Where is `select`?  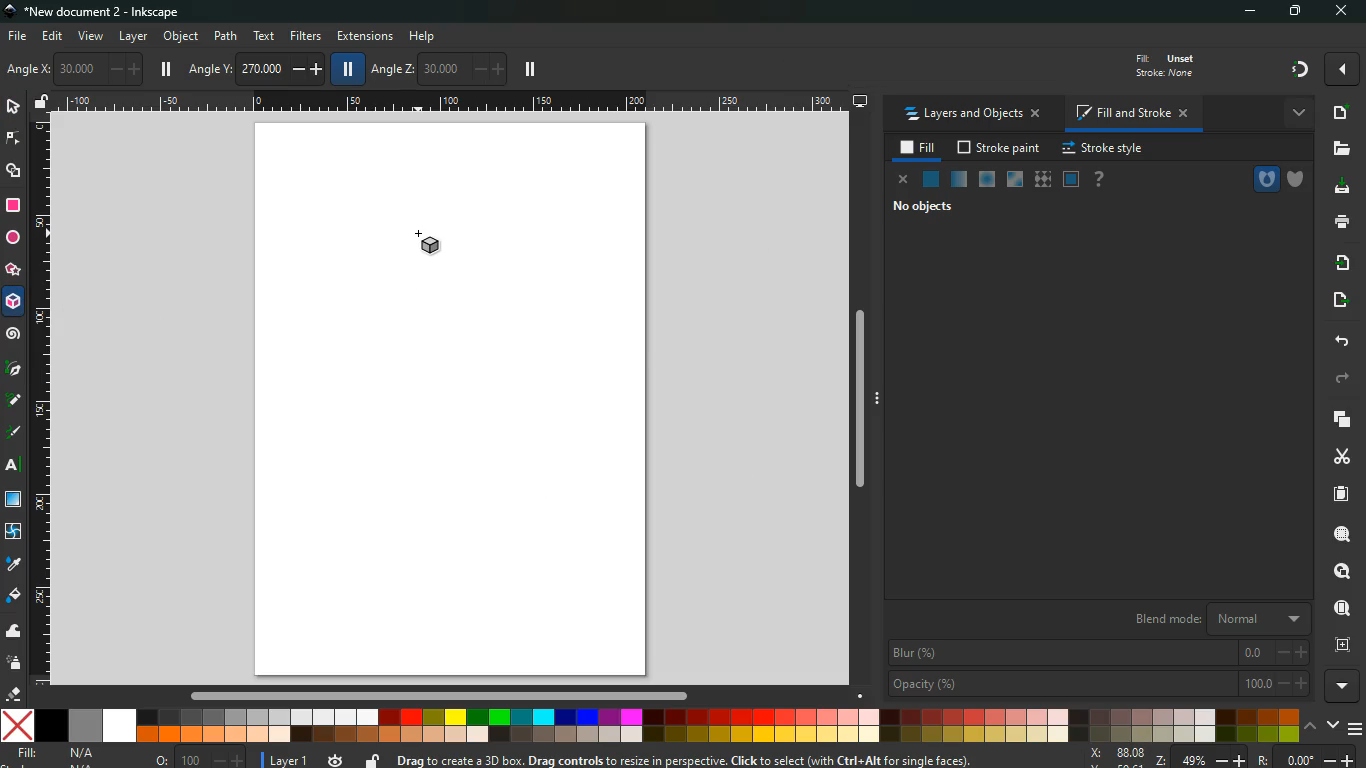 select is located at coordinates (15, 108).